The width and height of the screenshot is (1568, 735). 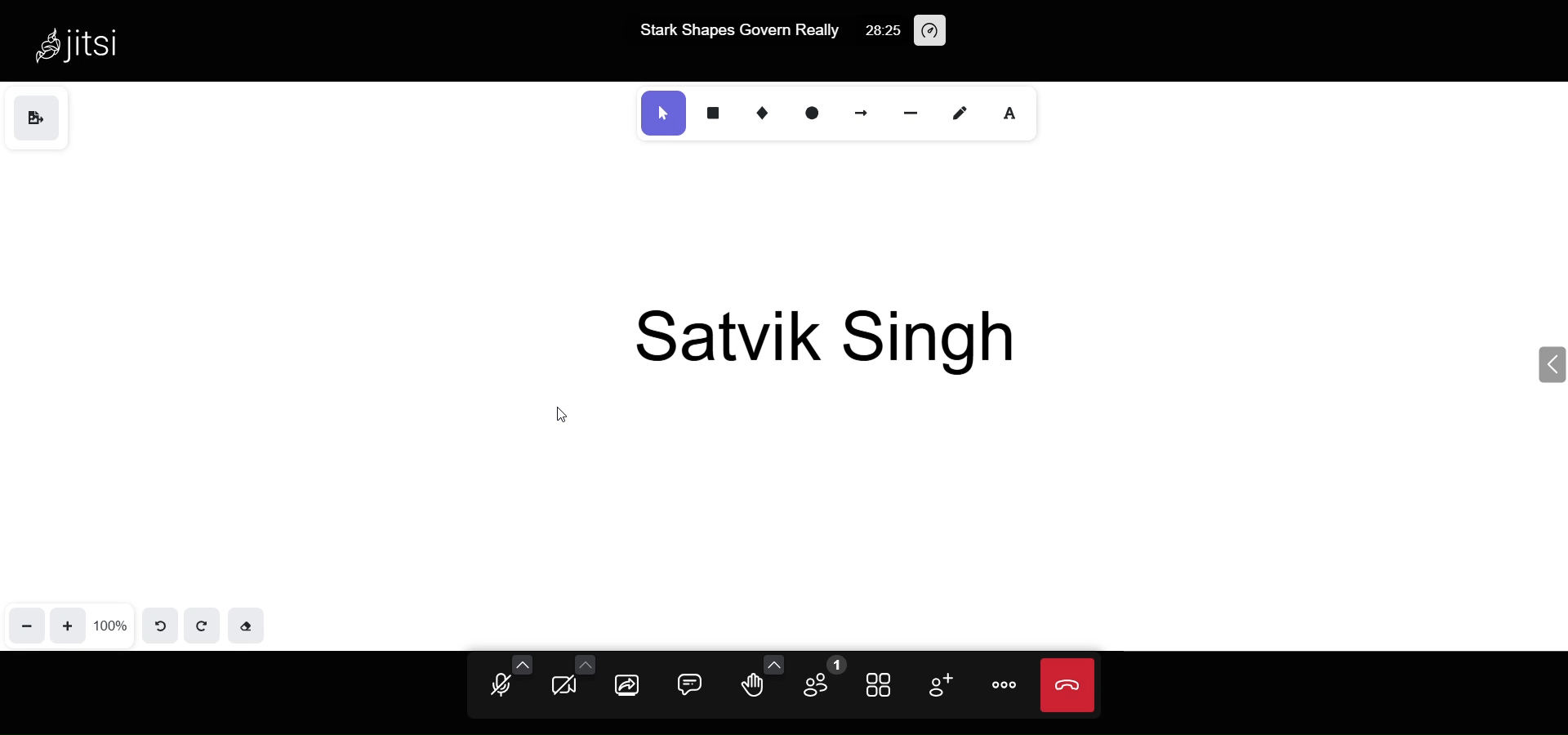 What do you see at coordinates (500, 688) in the screenshot?
I see `microphone` at bounding box center [500, 688].